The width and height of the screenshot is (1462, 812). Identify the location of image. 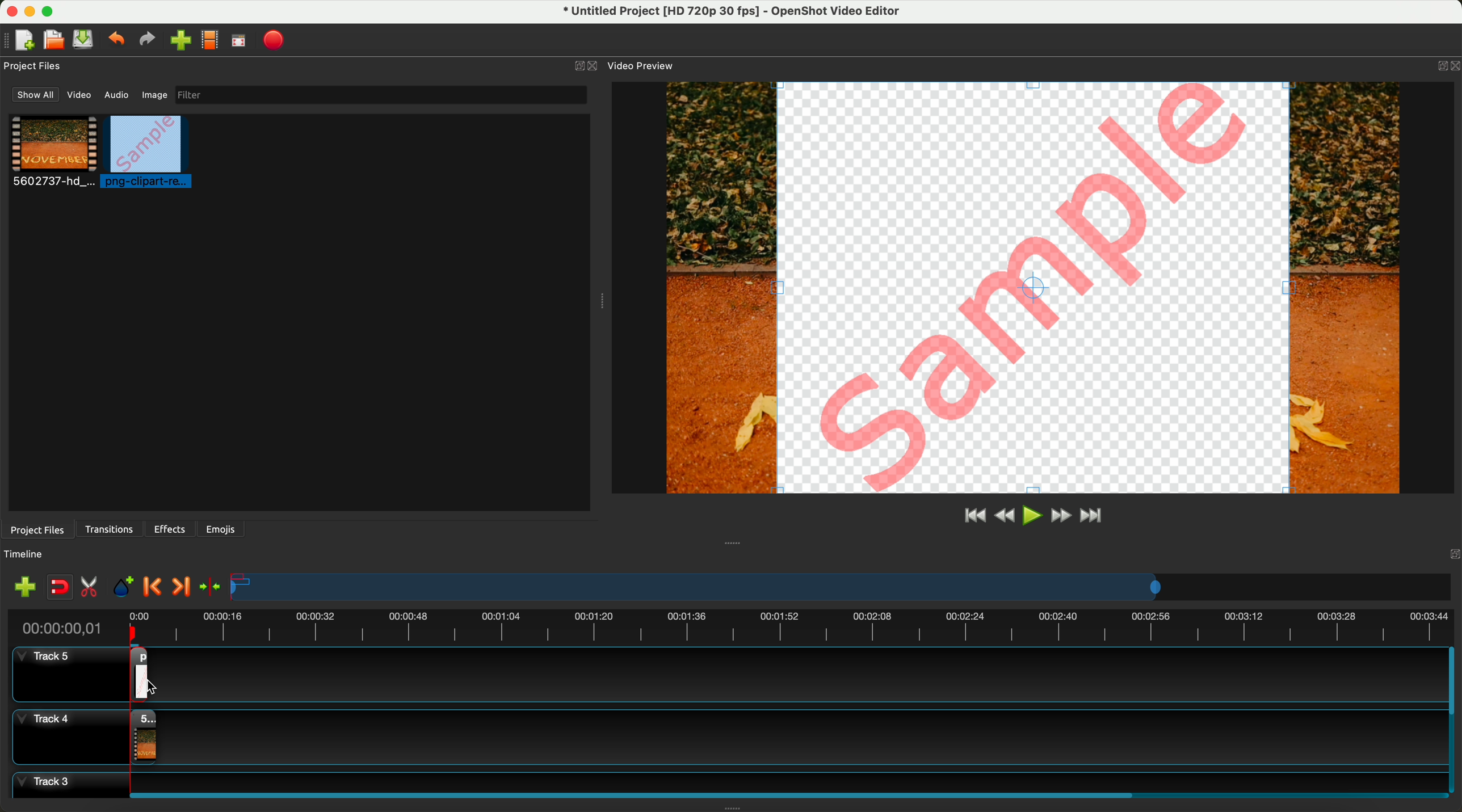
(153, 96).